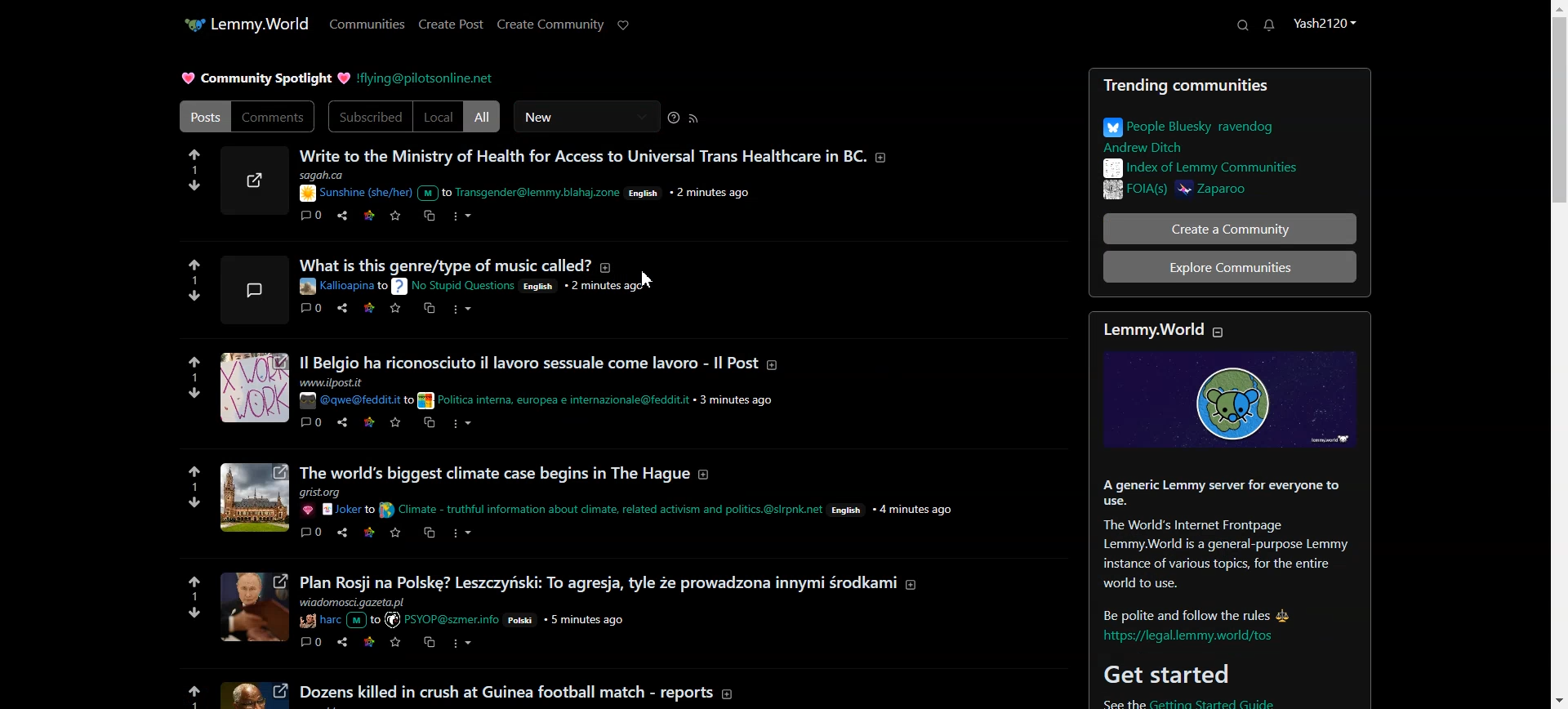  I want to click on Downvote, so click(196, 185).